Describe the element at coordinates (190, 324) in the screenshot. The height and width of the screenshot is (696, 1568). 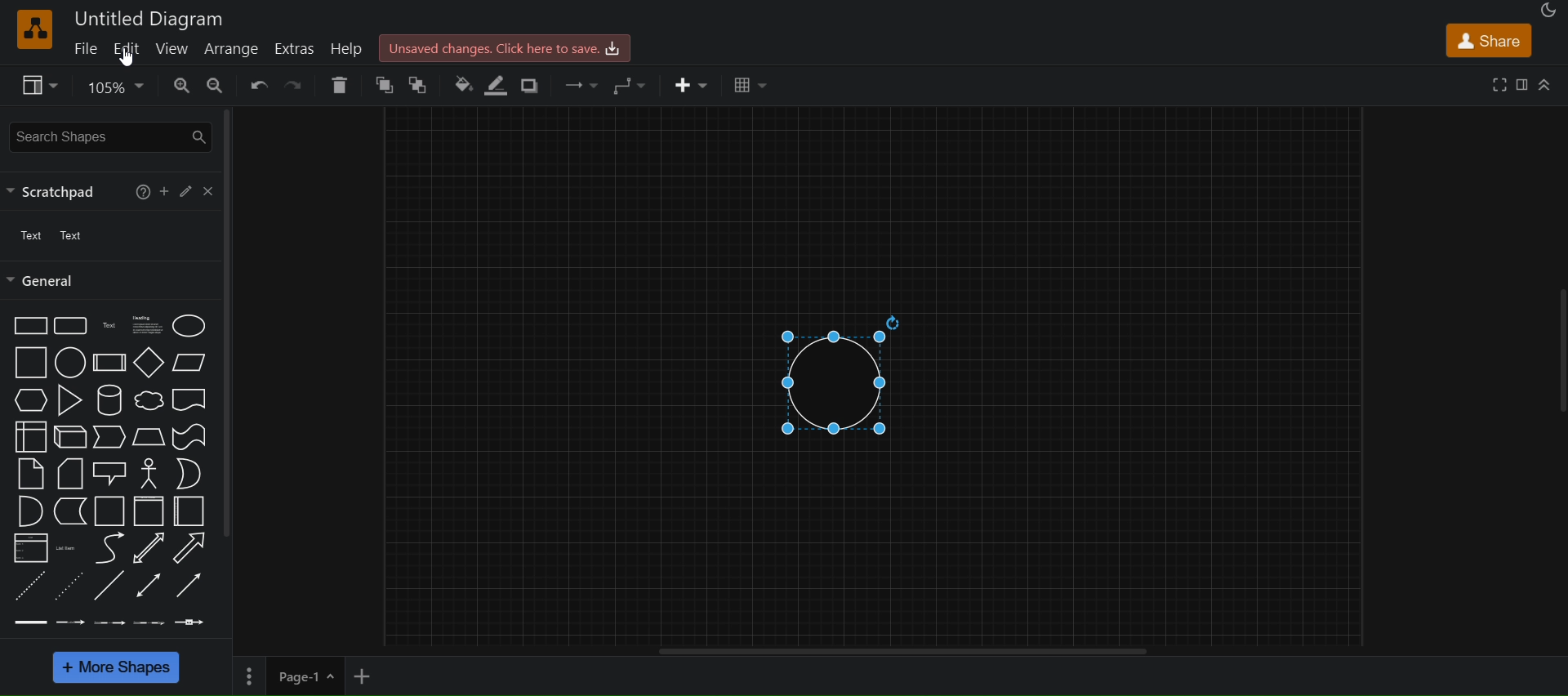
I see `ellipse` at that location.